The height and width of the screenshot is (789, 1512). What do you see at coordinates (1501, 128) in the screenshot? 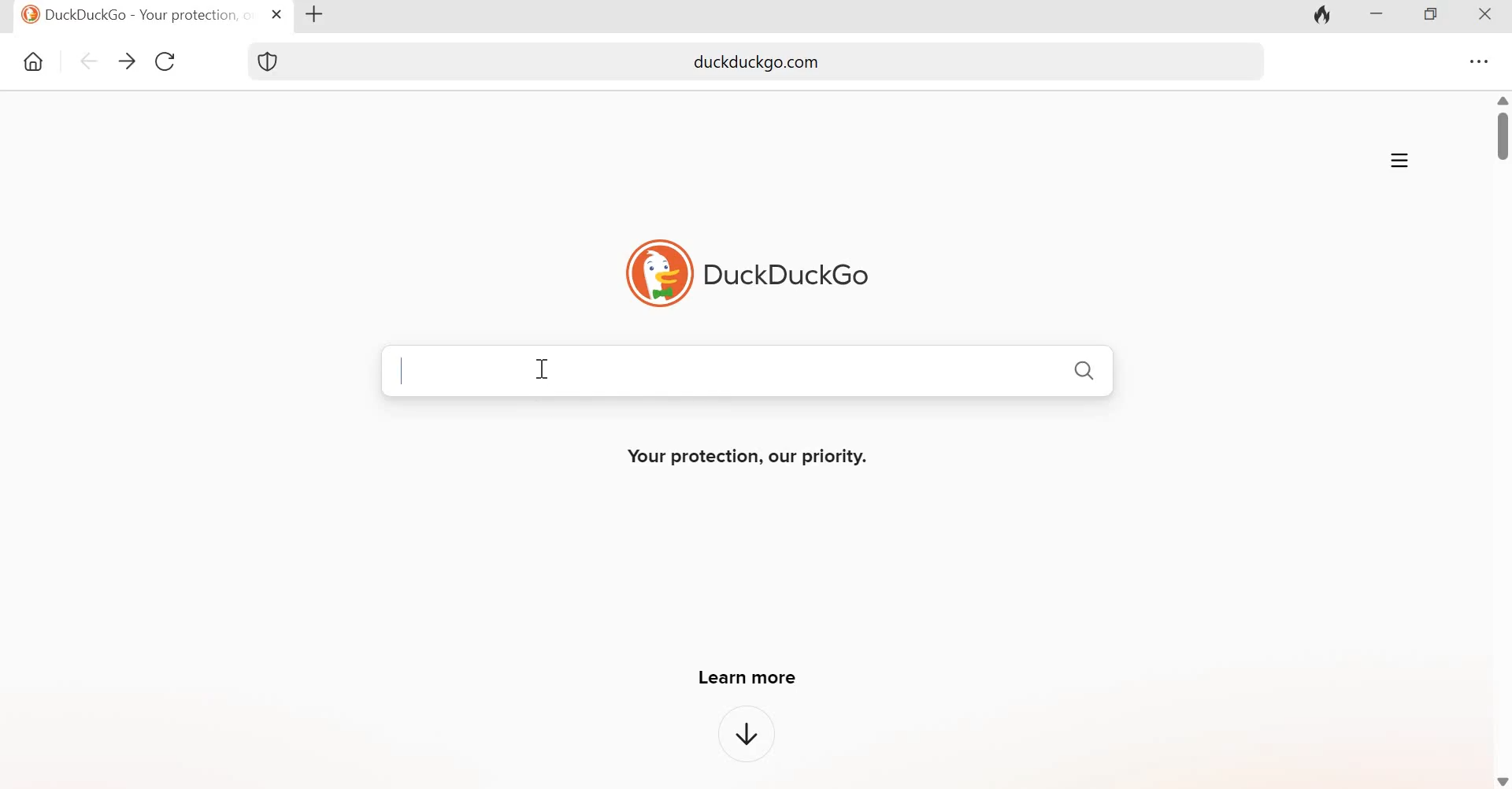
I see `Scrollbar` at bounding box center [1501, 128].